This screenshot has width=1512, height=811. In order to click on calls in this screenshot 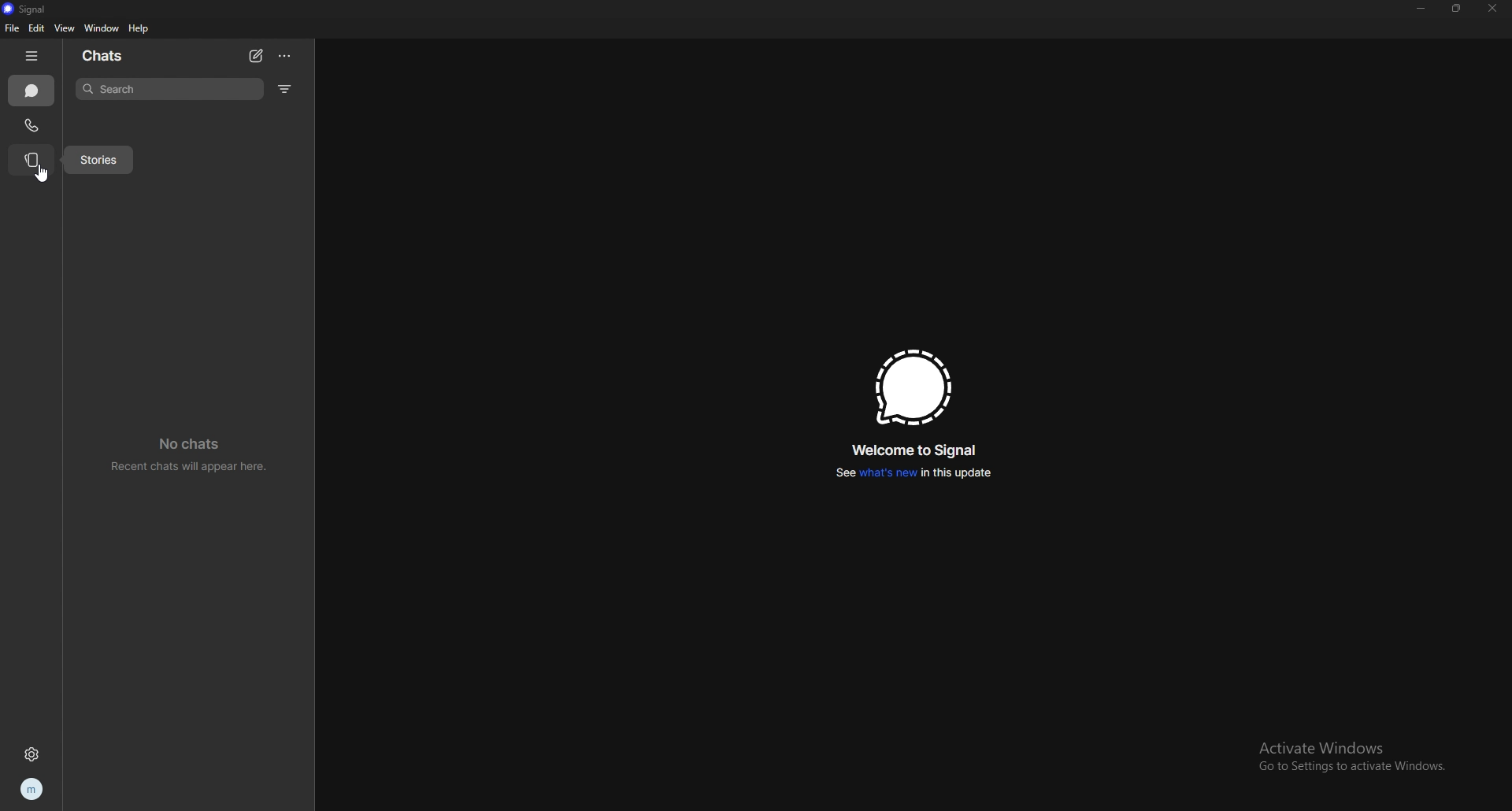, I will do `click(31, 125)`.